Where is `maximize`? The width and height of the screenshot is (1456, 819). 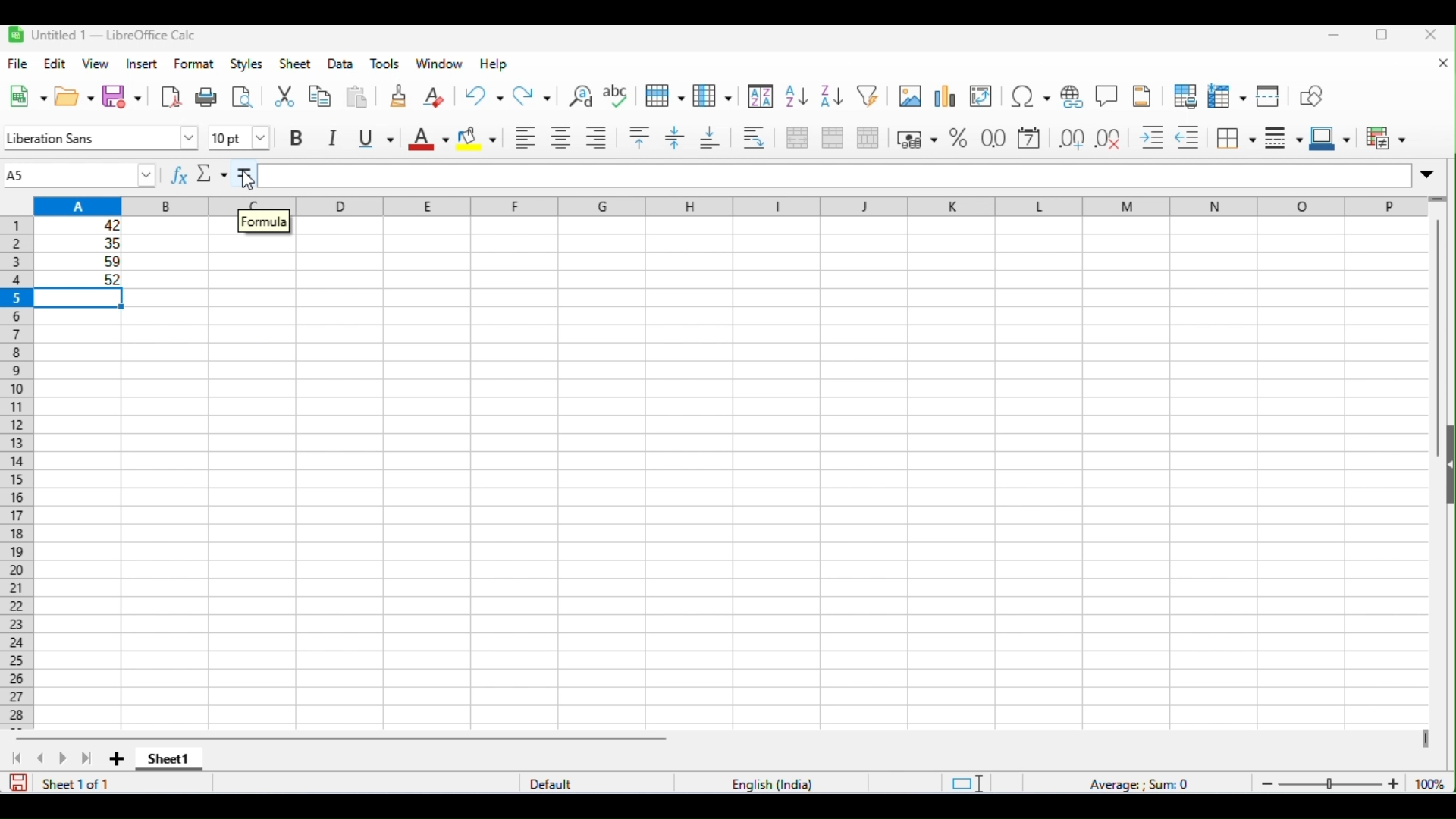 maximize is located at coordinates (1382, 36).